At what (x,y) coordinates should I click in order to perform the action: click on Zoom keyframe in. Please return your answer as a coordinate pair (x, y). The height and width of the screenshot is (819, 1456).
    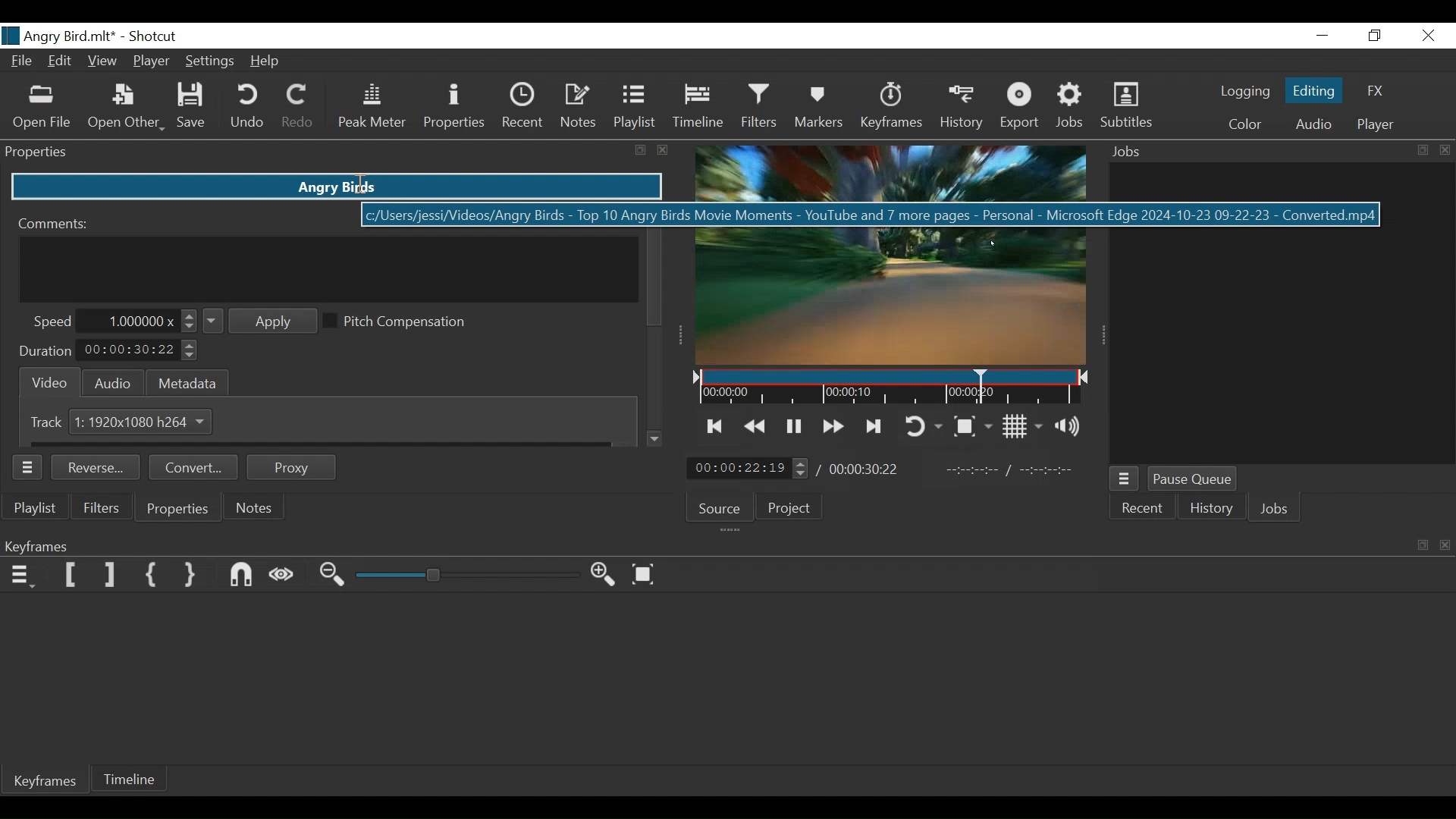
    Looking at the image, I should click on (607, 577).